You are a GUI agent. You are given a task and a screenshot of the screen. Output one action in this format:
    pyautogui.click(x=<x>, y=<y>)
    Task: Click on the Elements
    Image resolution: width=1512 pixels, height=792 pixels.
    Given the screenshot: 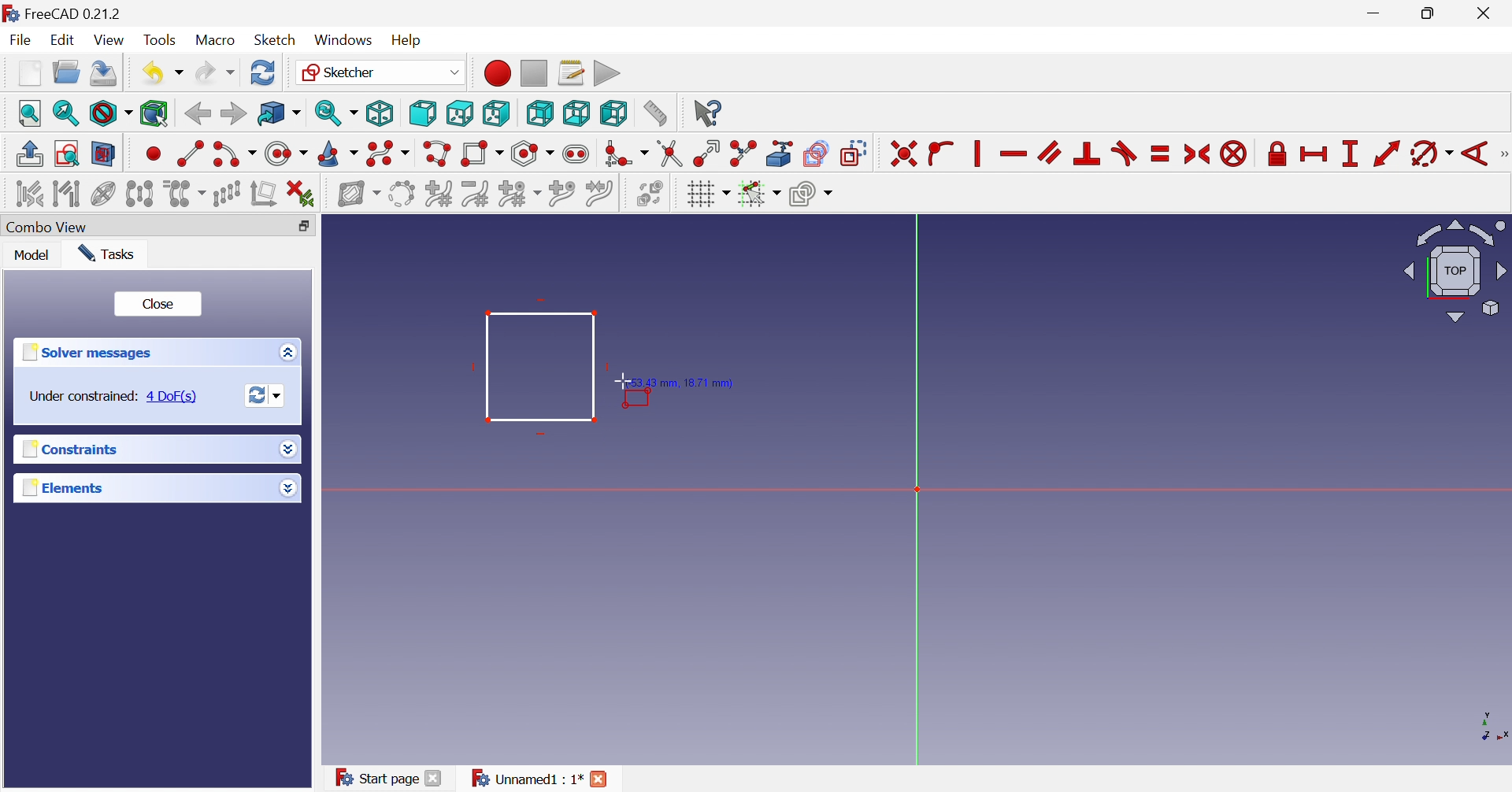 What is the action you would take?
    pyautogui.click(x=62, y=488)
    